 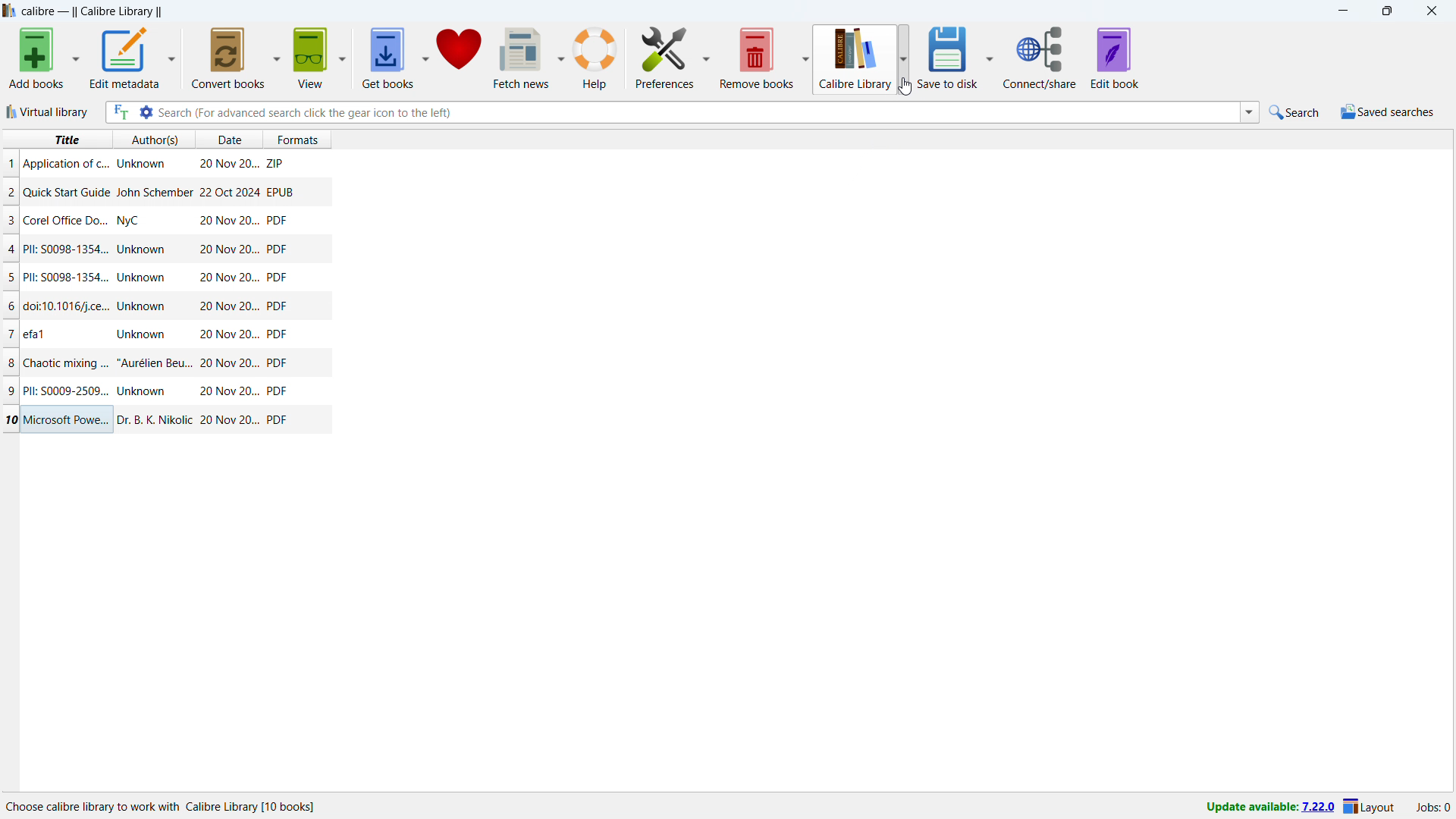 What do you see at coordinates (11, 194) in the screenshot?
I see `2` at bounding box center [11, 194].